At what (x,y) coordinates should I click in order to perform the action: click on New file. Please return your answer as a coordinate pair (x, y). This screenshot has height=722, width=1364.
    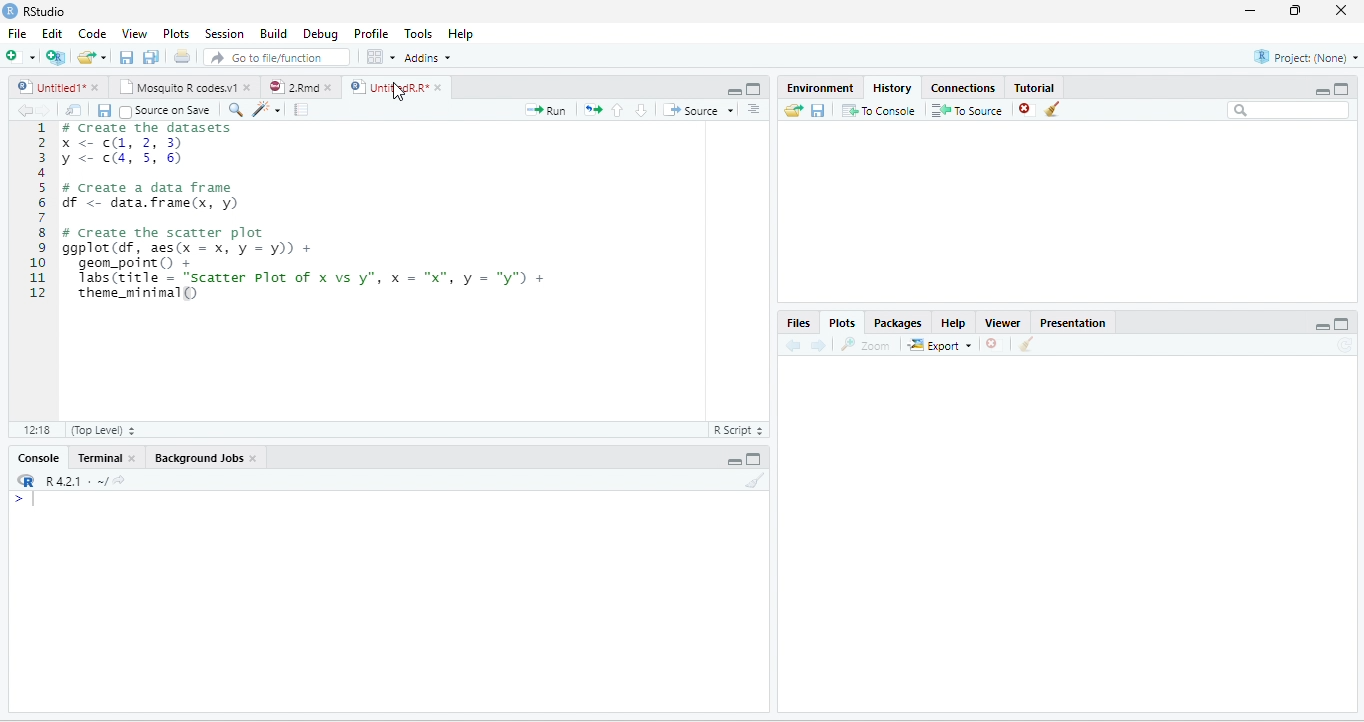
    Looking at the image, I should click on (21, 56).